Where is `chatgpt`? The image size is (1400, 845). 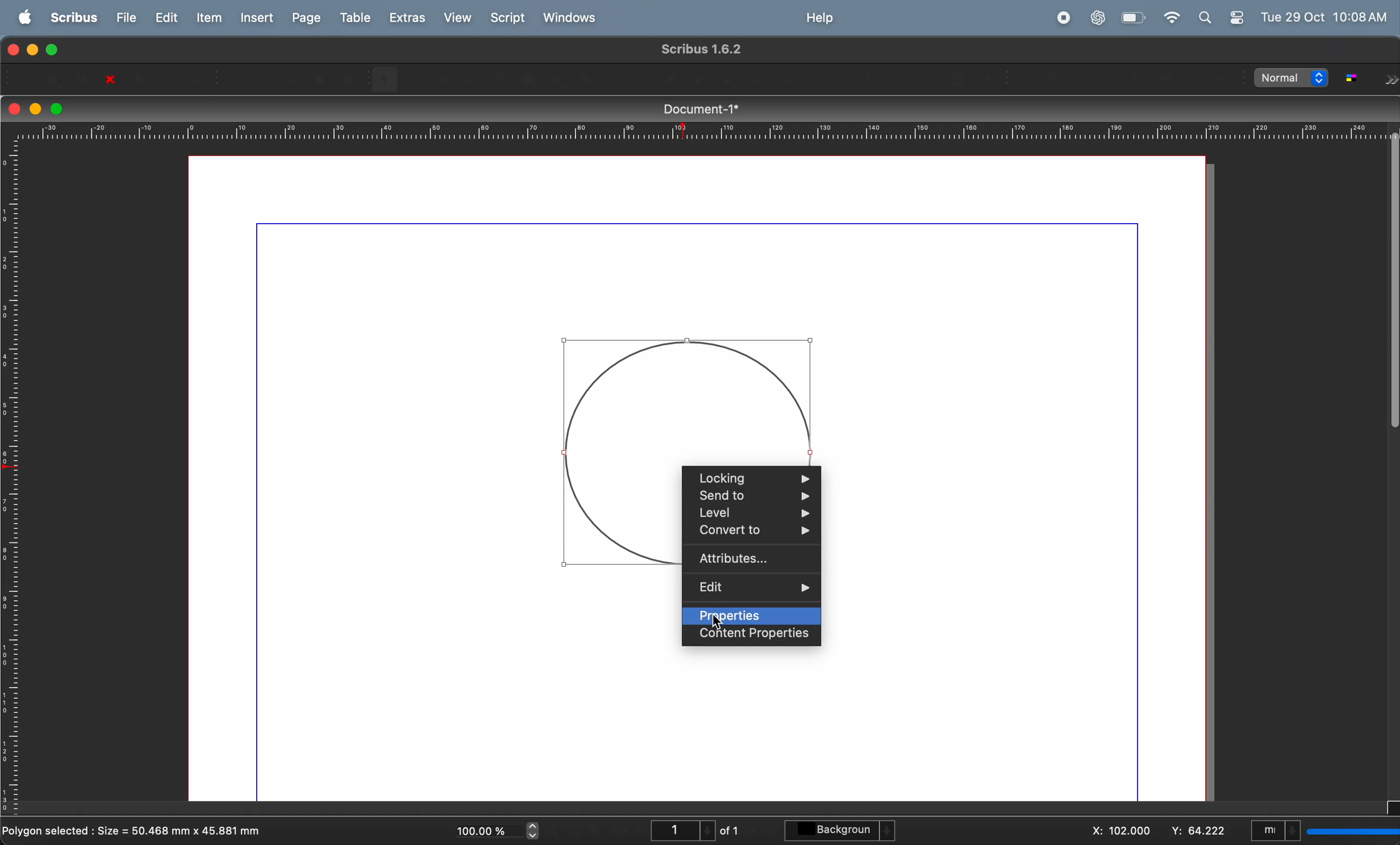
chatgpt is located at coordinates (1098, 18).